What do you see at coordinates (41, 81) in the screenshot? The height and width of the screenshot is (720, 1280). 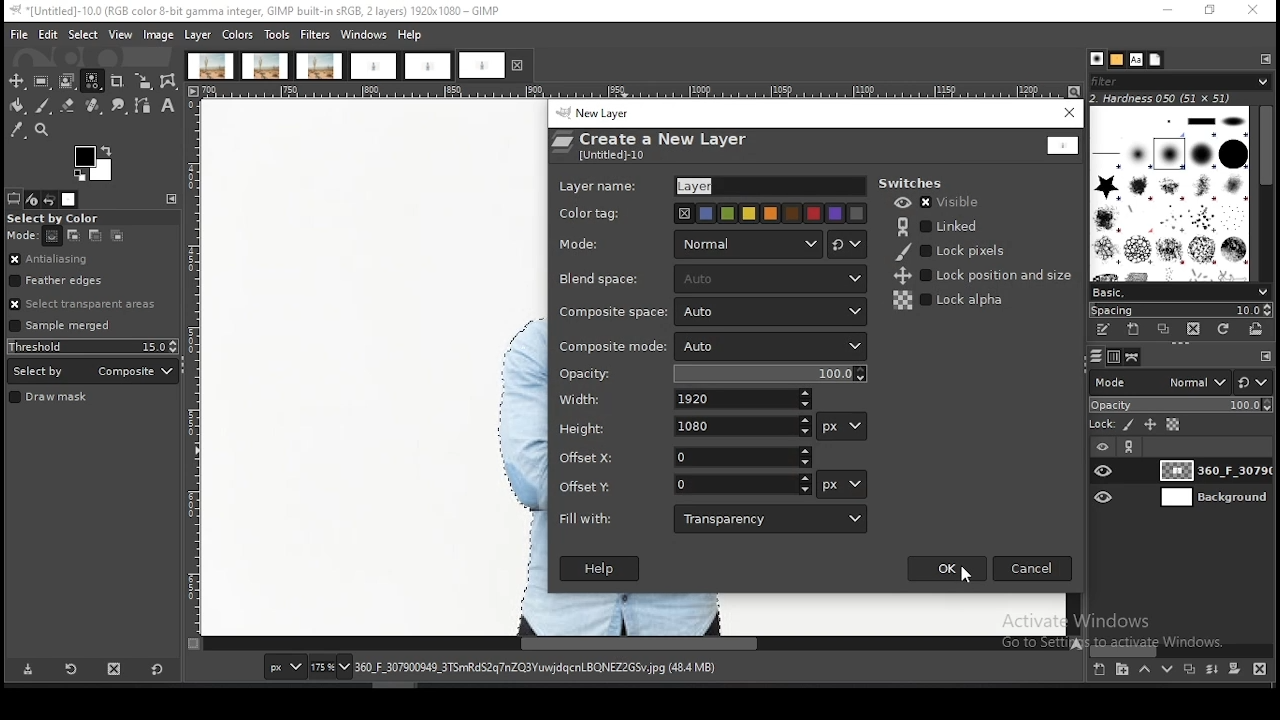 I see `rectangle select tool` at bounding box center [41, 81].